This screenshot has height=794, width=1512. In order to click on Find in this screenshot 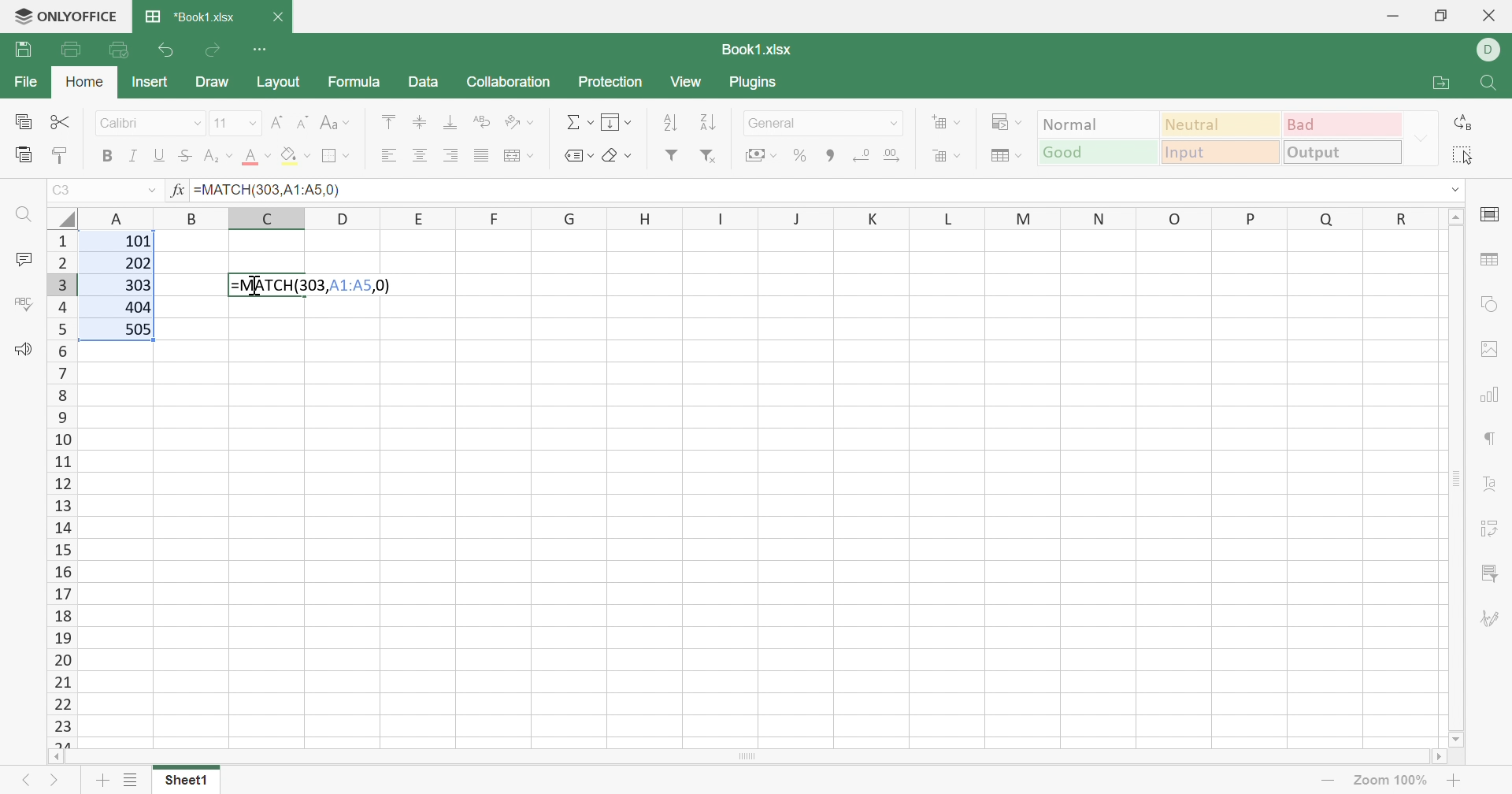, I will do `click(1490, 83)`.